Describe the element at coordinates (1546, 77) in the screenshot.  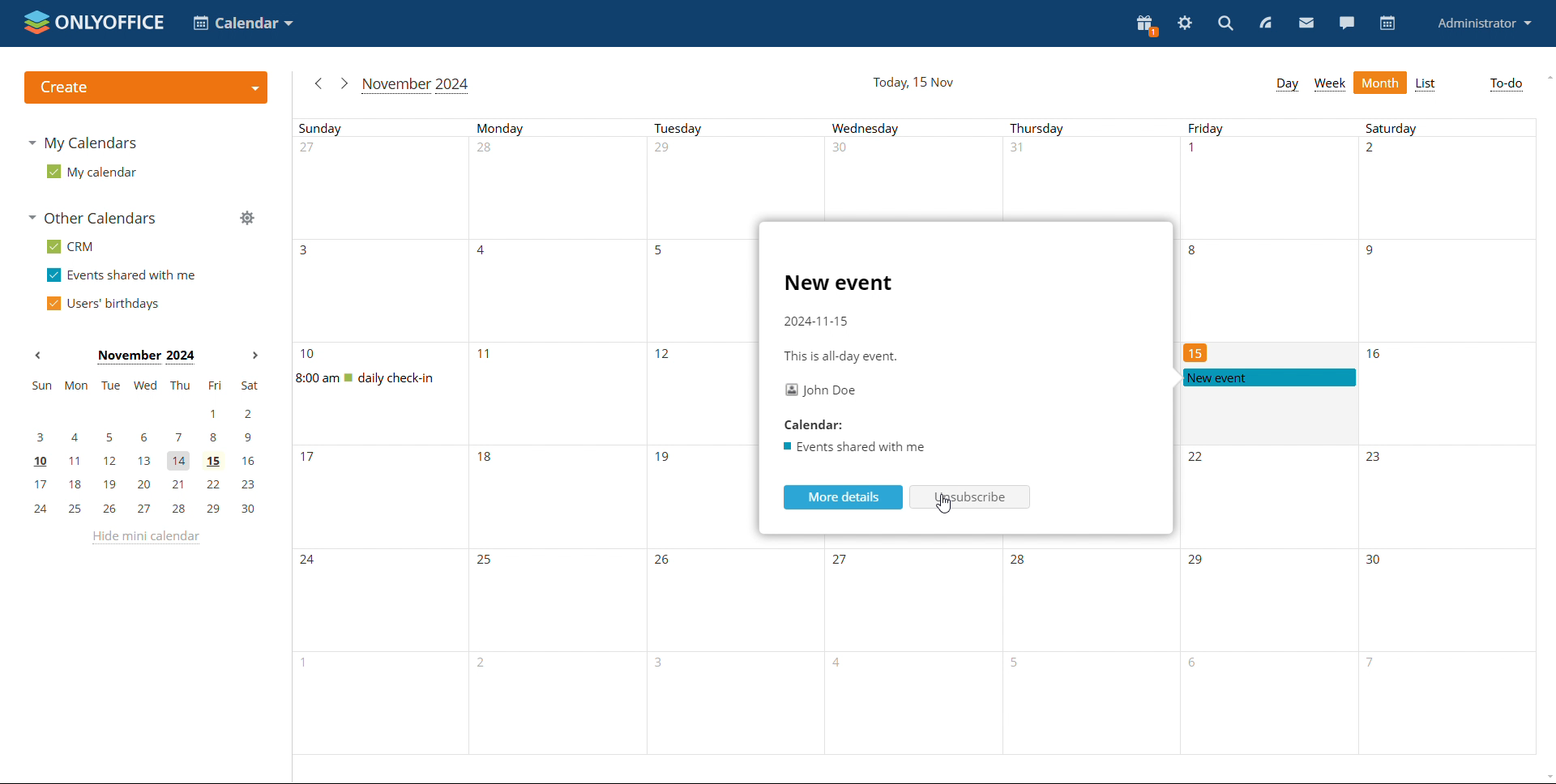
I see `scroll up` at that location.